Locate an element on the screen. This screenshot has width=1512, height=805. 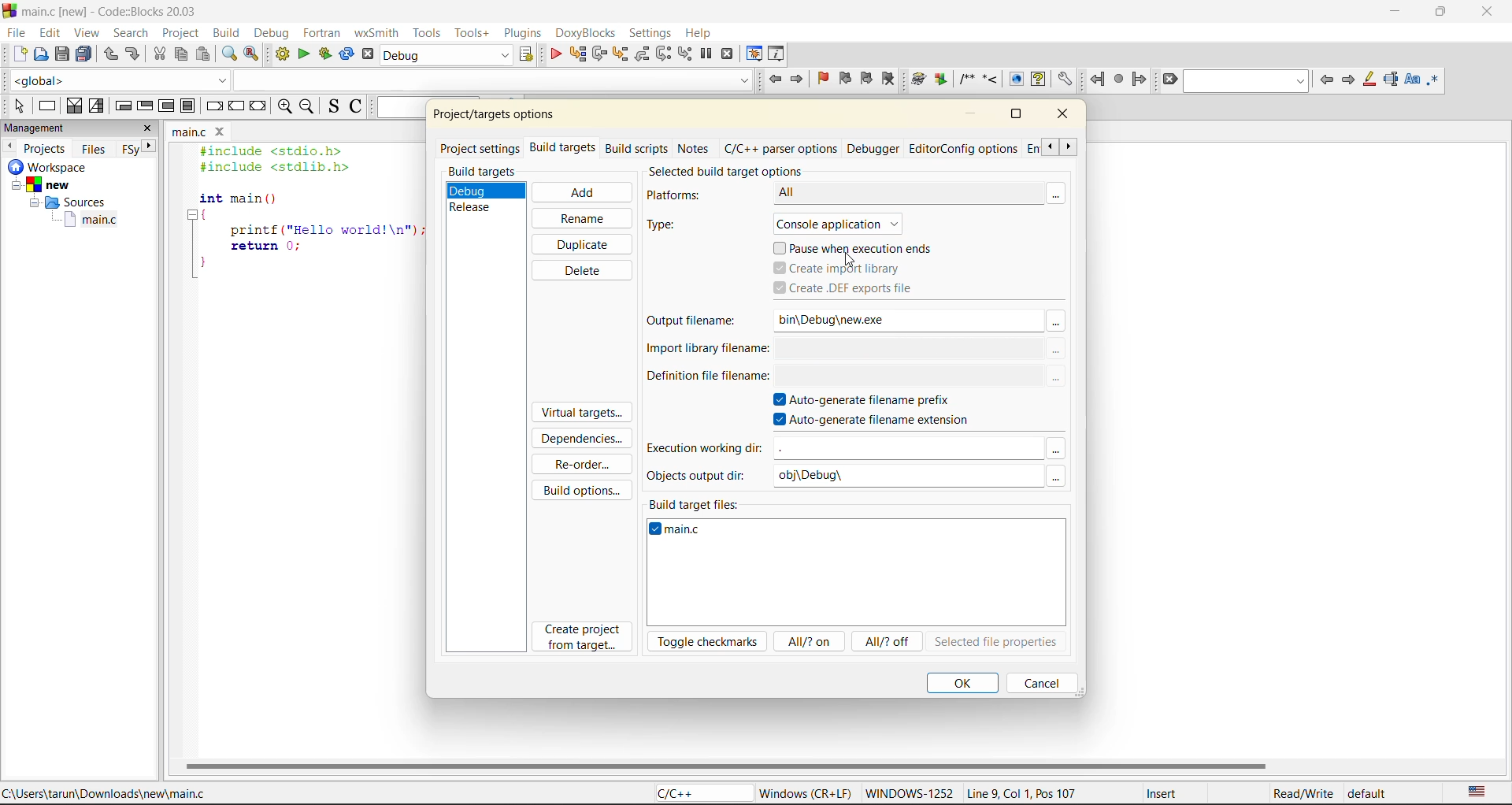
build target files is located at coordinates (697, 502).